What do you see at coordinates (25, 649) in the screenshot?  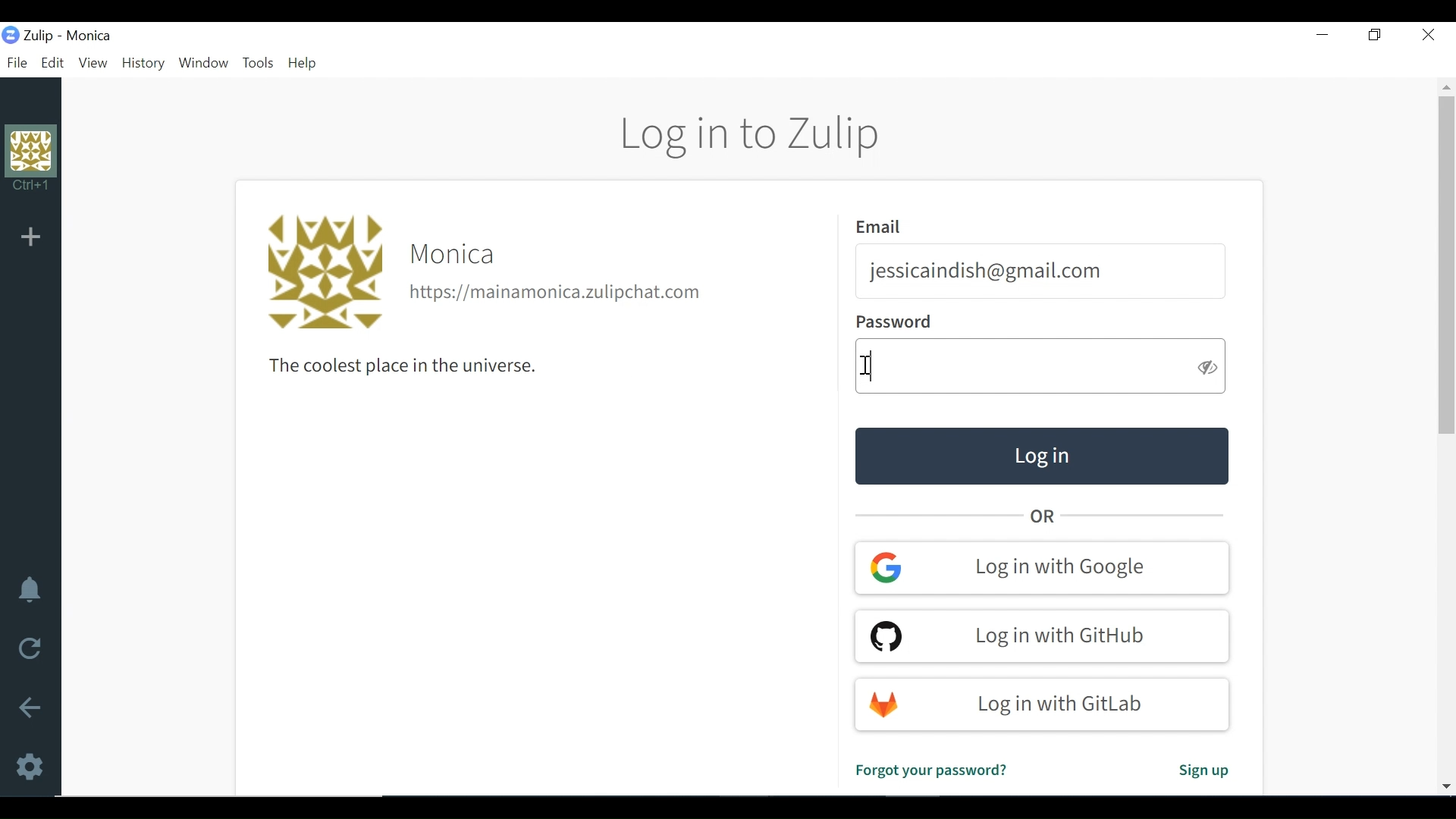 I see `Reload` at bounding box center [25, 649].